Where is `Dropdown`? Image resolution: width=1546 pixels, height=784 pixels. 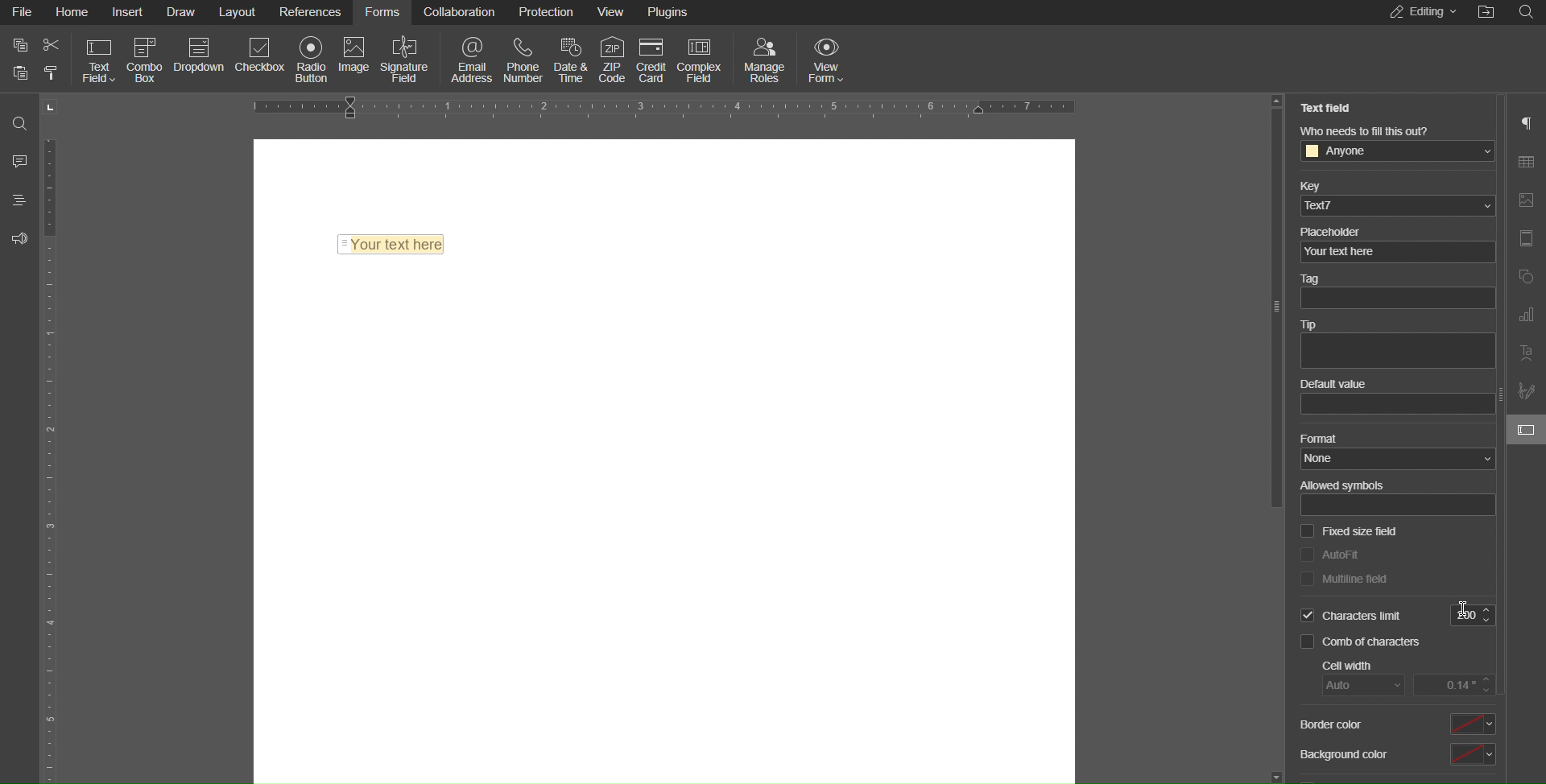
Dropdown is located at coordinates (204, 58).